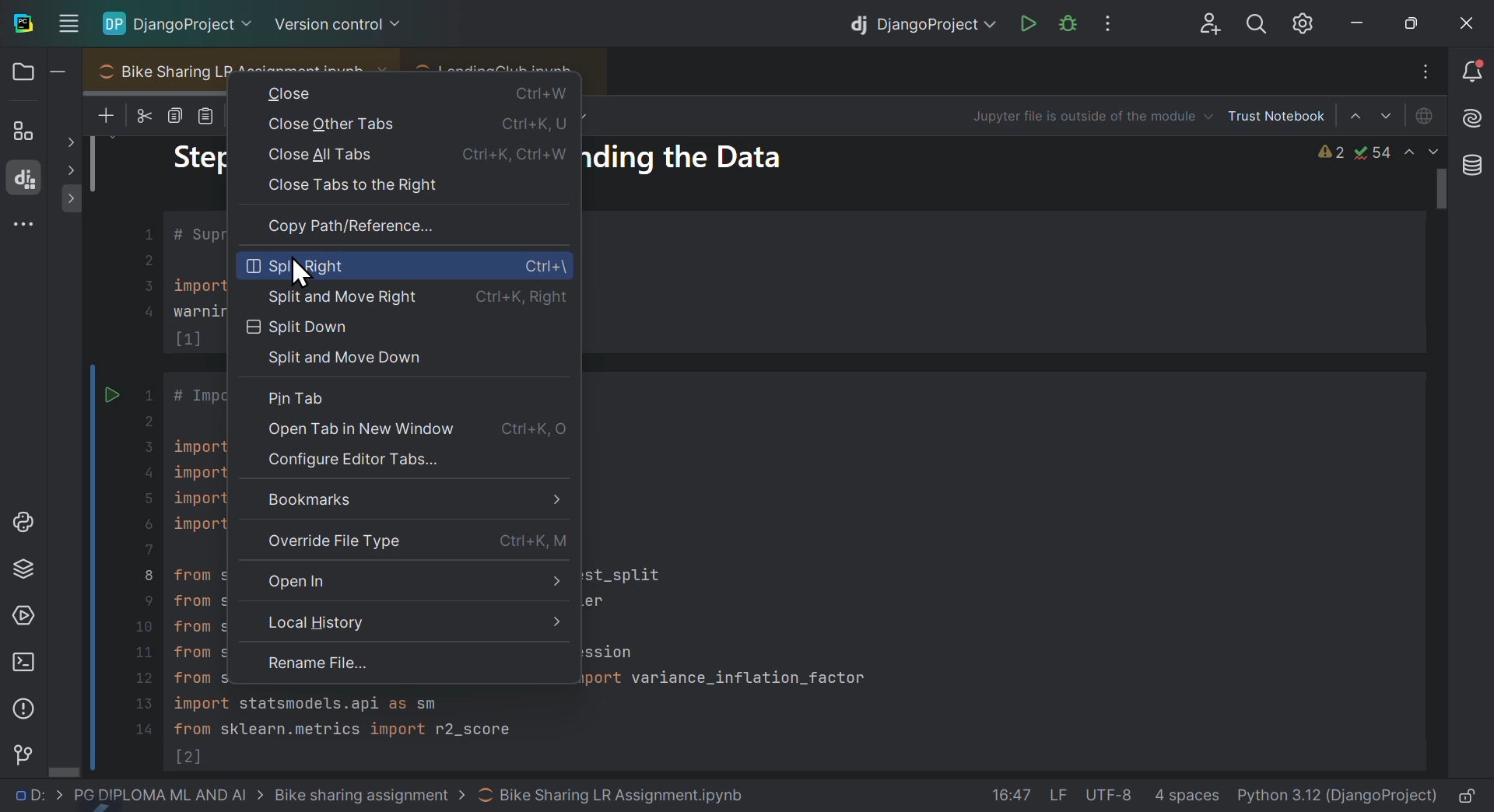 Image resolution: width=1494 pixels, height=812 pixels. Describe the element at coordinates (28, 129) in the screenshot. I see `structure` at that location.